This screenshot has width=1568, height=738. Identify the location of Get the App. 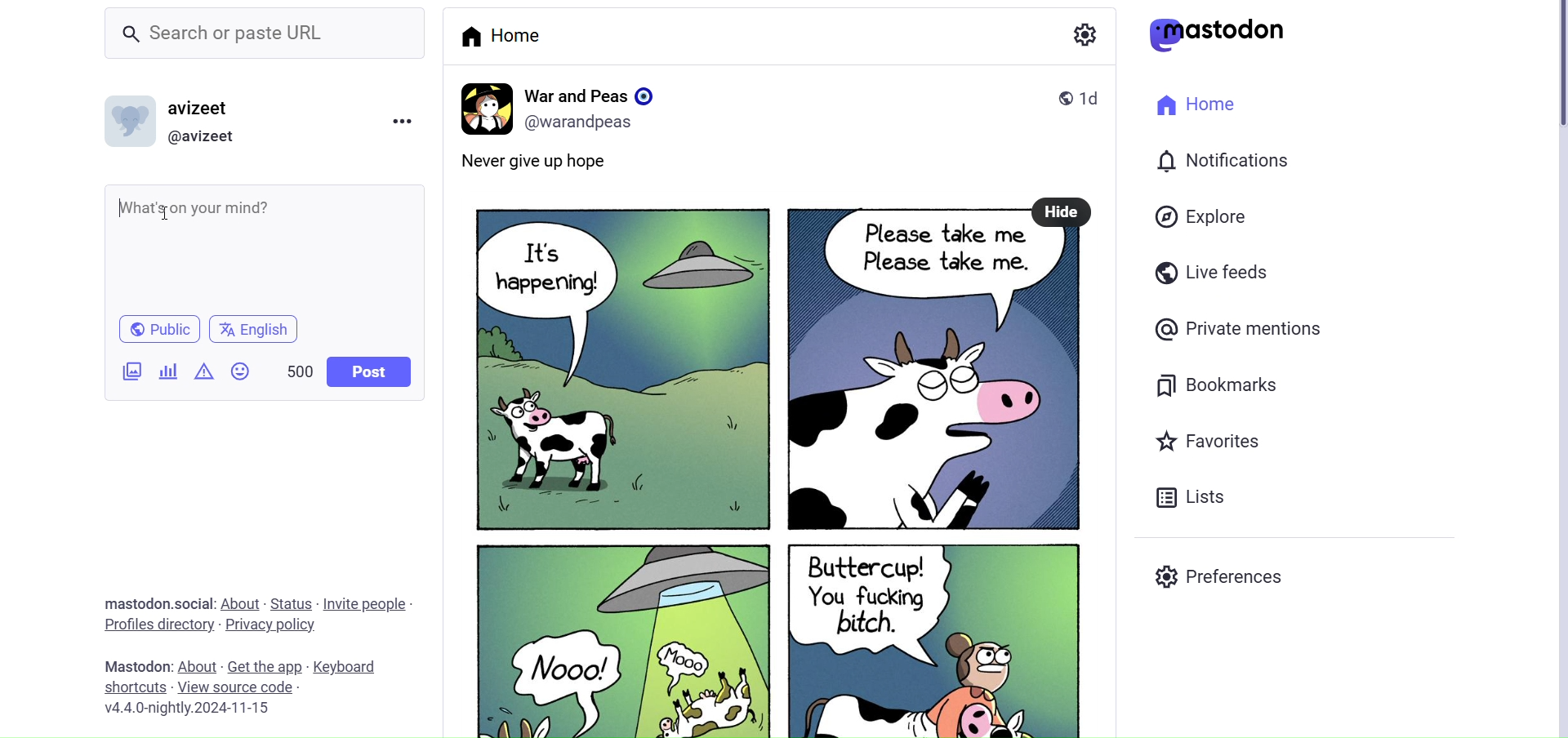
(267, 665).